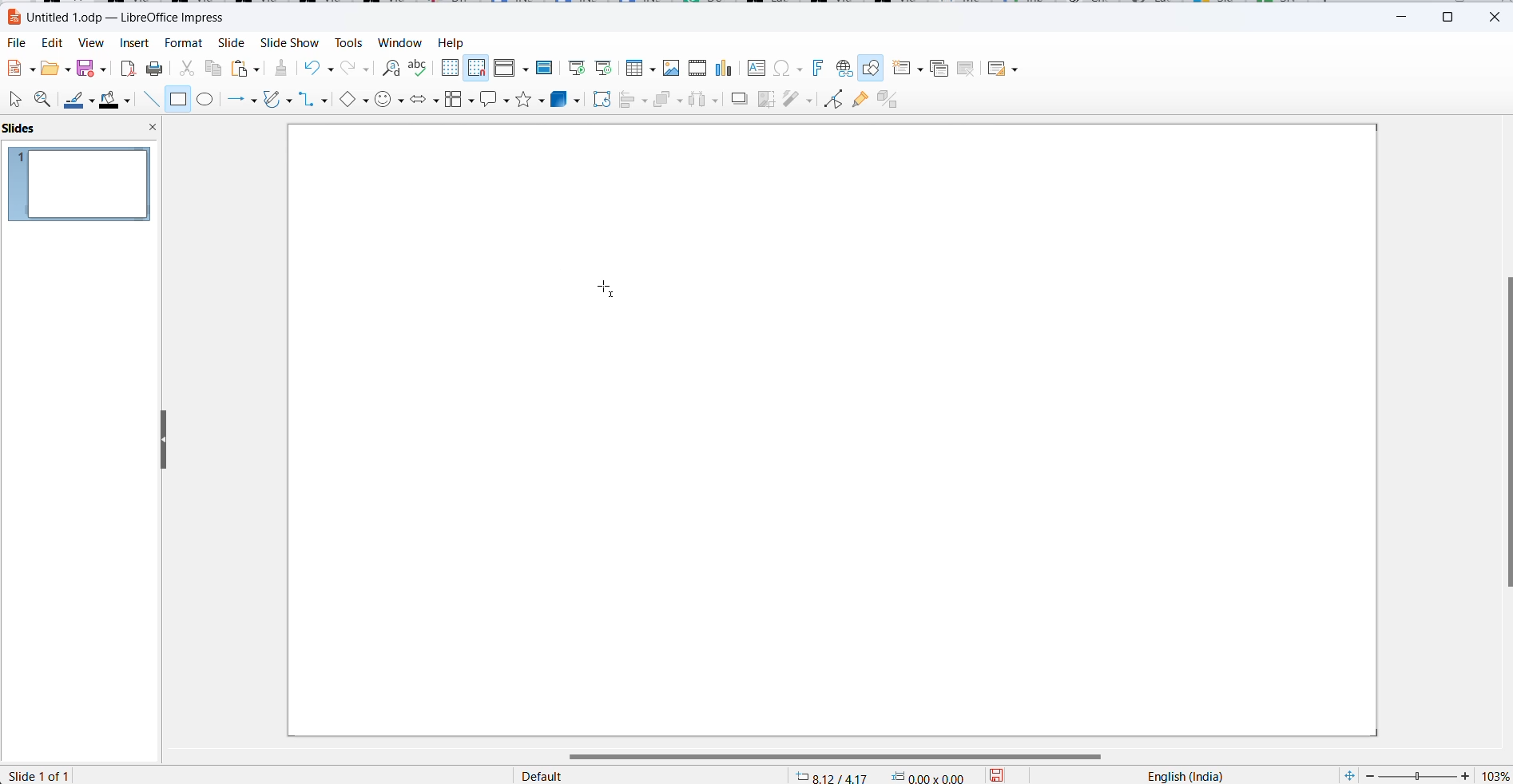 Image resolution: width=1513 pixels, height=784 pixels. Describe the element at coordinates (54, 69) in the screenshot. I see `fill options` at that location.